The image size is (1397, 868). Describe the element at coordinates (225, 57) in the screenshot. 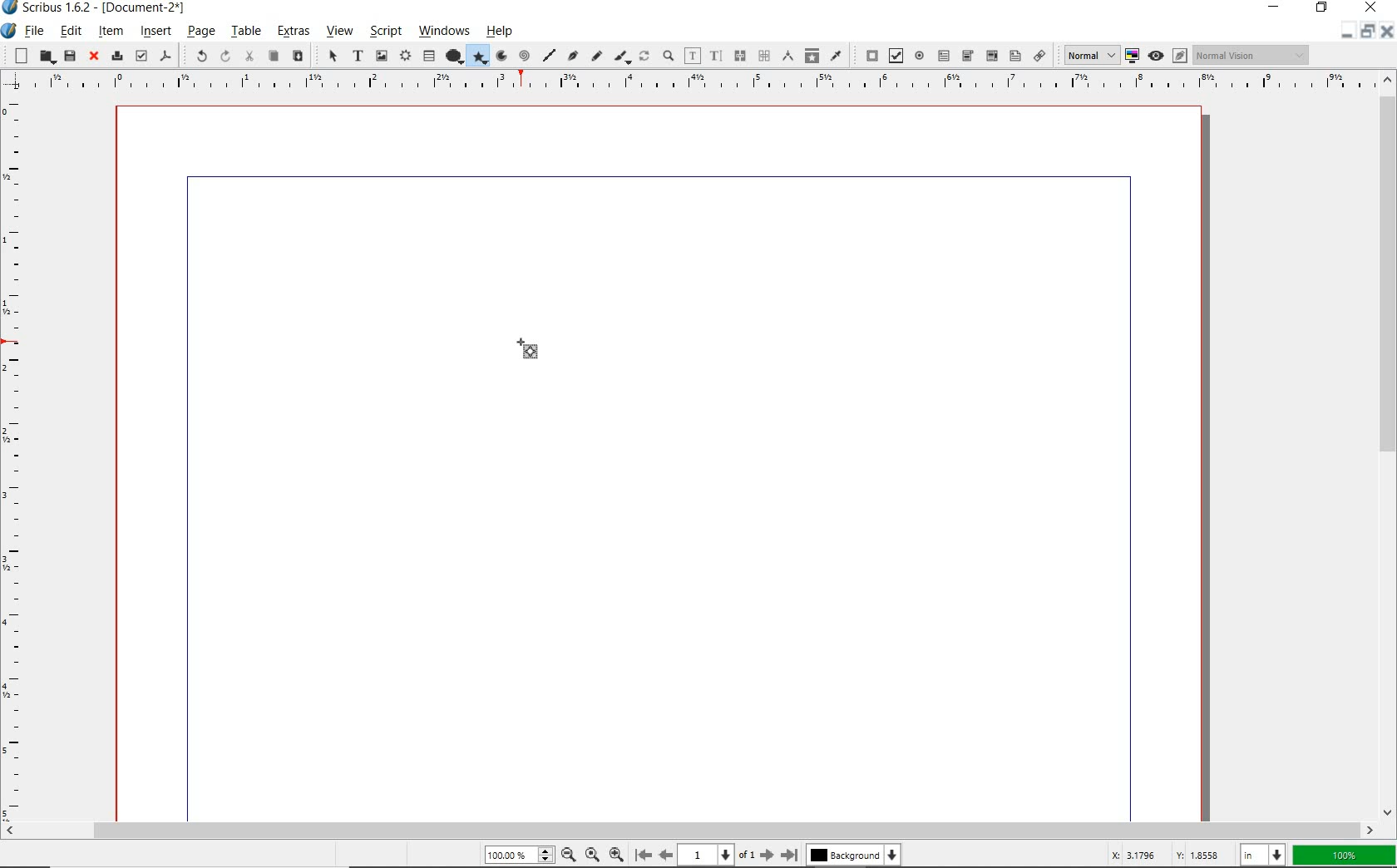

I see `redo` at that location.